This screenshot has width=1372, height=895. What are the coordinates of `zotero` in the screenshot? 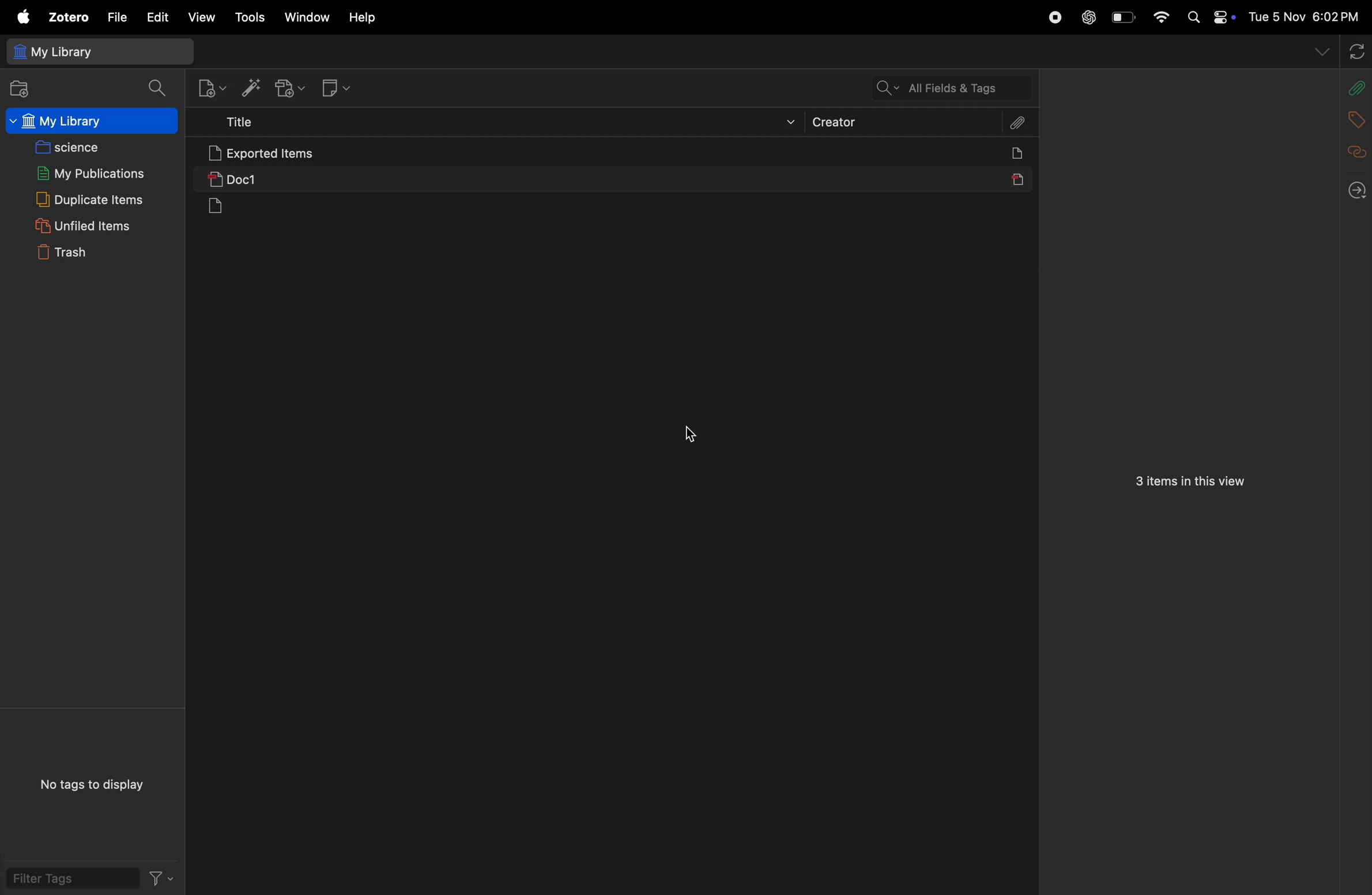 It's located at (65, 18).